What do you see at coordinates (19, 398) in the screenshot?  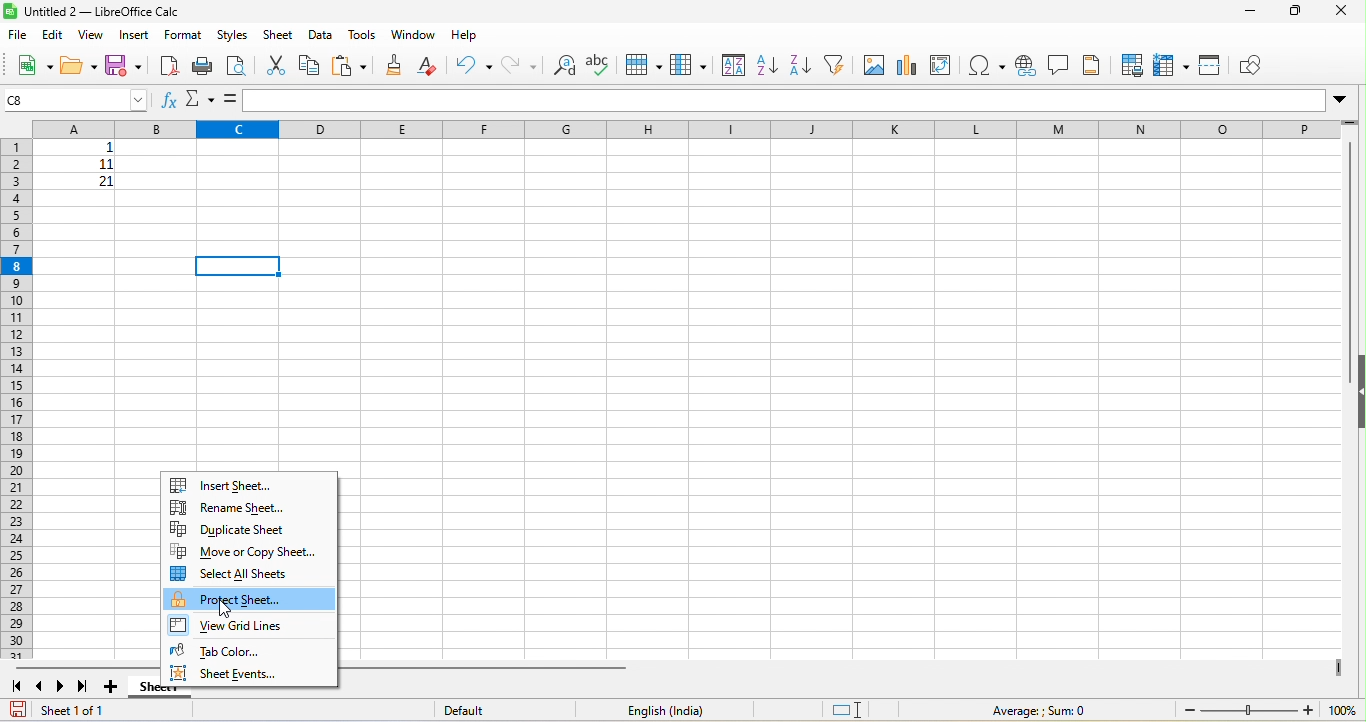 I see `row numbers` at bounding box center [19, 398].